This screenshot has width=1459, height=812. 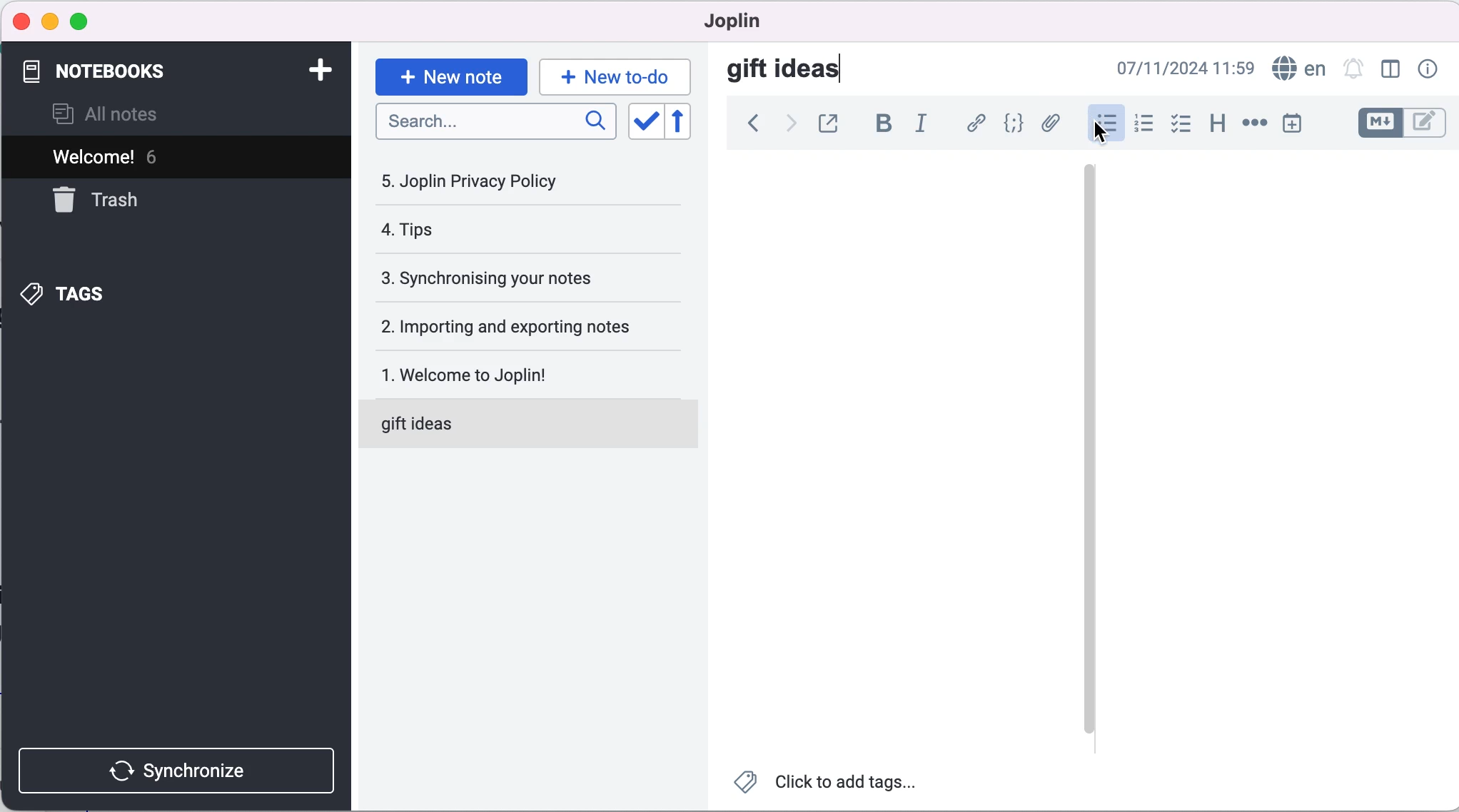 What do you see at coordinates (78, 293) in the screenshot?
I see `tags` at bounding box center [78, 293].